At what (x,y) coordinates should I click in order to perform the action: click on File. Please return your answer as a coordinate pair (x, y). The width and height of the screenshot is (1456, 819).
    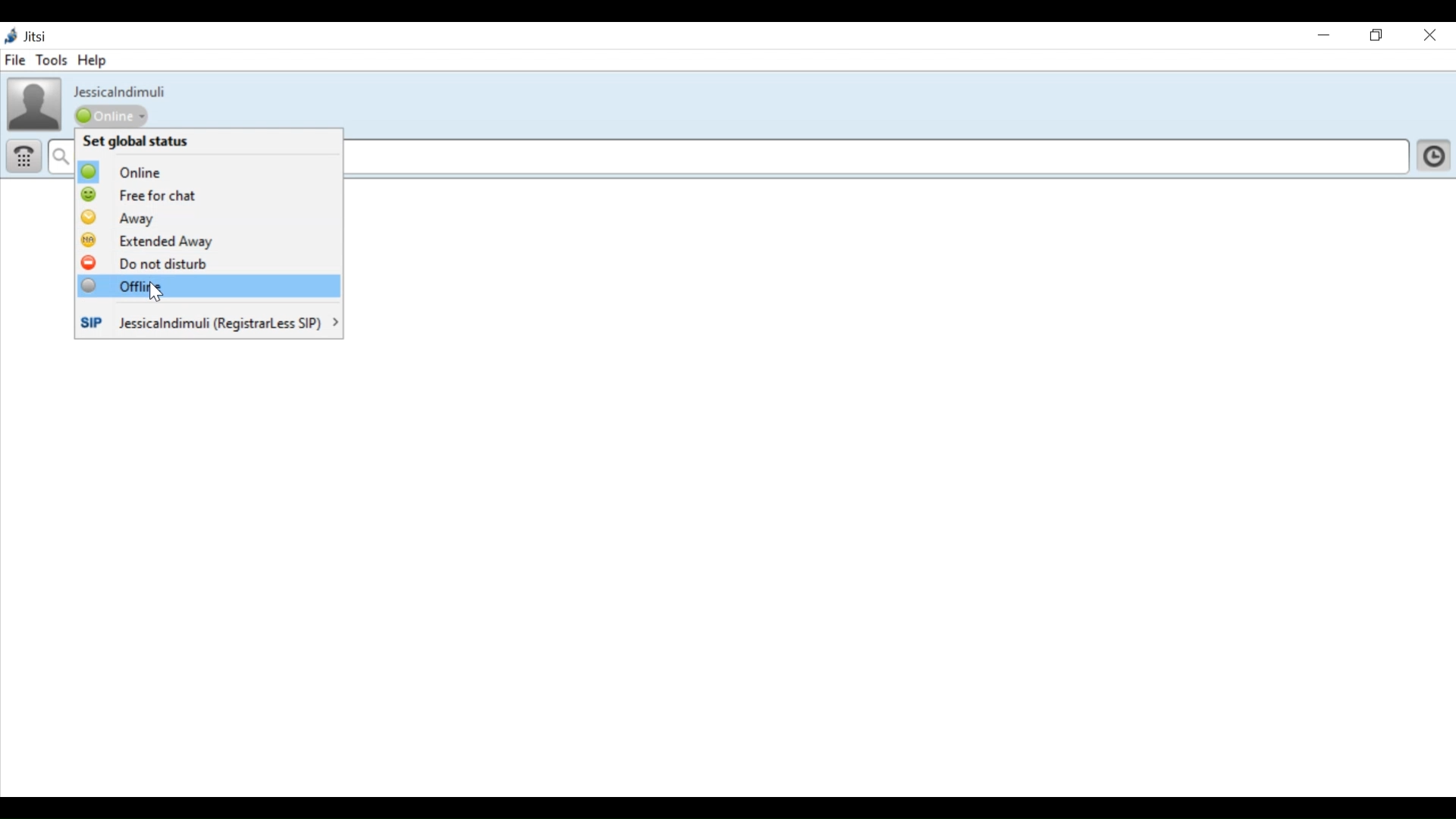
    Looking at the image, I should click on (15, 60).